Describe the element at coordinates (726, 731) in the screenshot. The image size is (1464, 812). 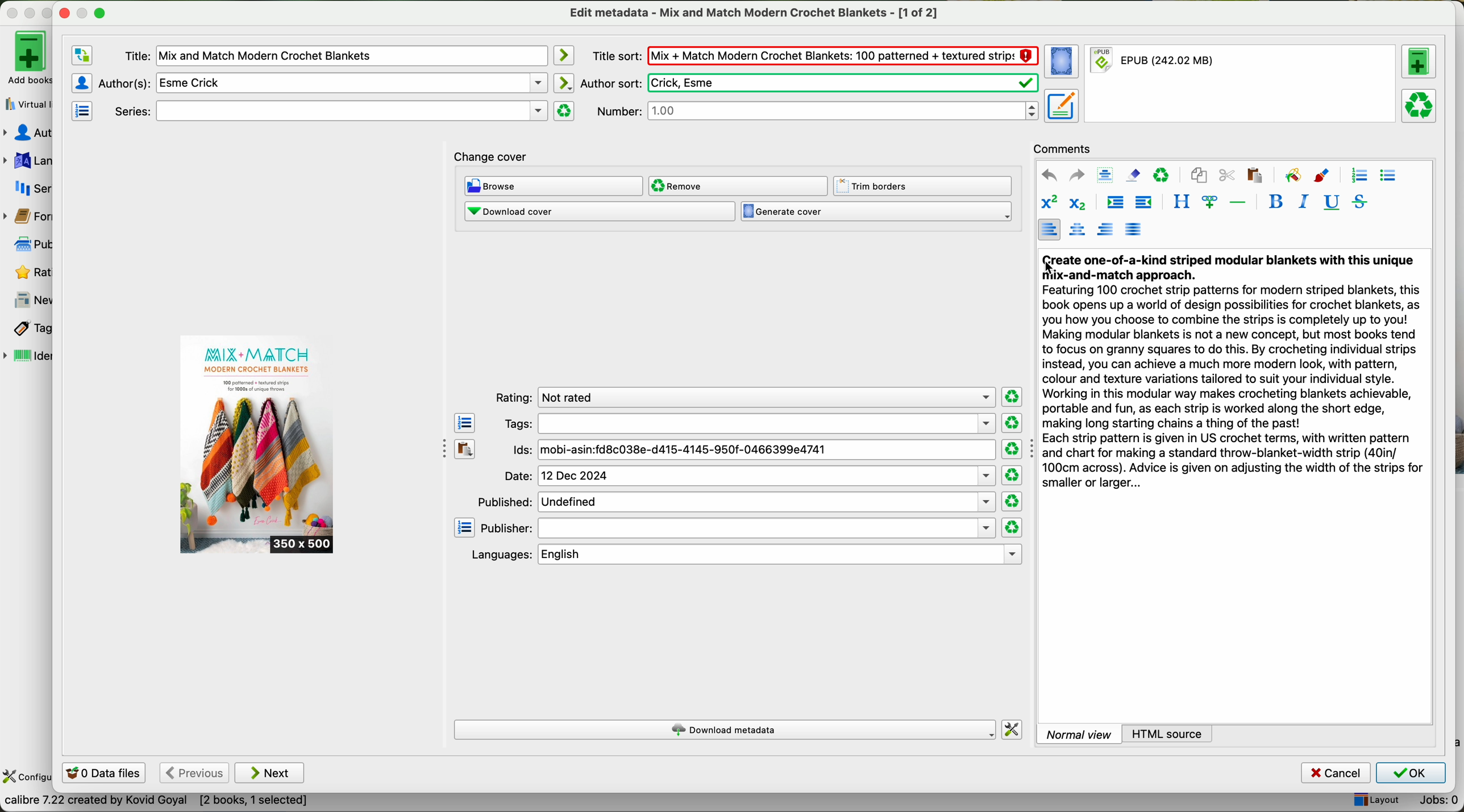
I see `download metadata` at that location.